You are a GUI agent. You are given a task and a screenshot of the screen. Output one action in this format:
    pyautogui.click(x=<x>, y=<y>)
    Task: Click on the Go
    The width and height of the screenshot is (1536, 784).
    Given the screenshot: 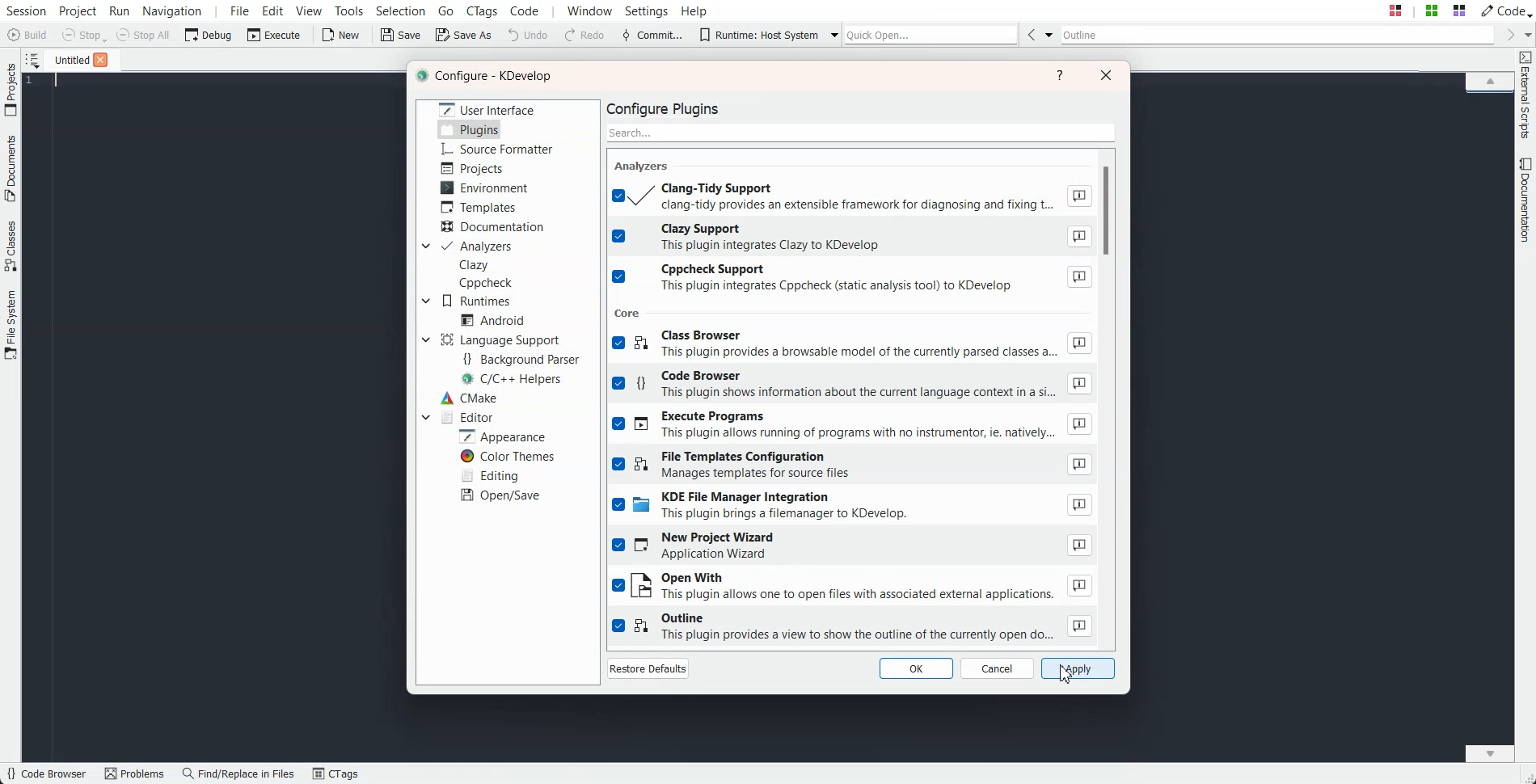 What is the action you would take?
    pyautogui.click(x=448, y=10)
    